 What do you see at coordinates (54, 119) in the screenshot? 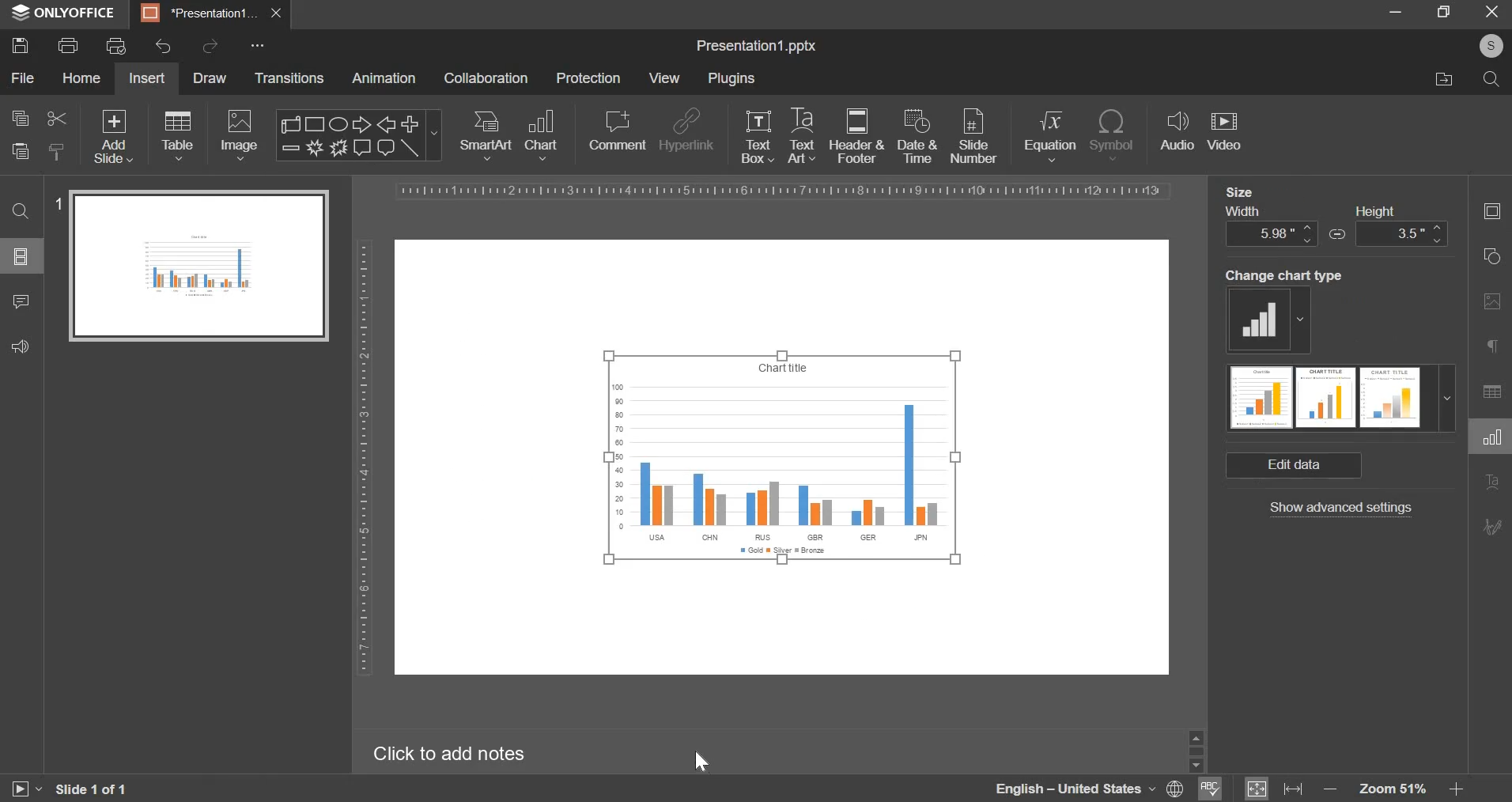
I see `cut` at bounding box center [54, 119].